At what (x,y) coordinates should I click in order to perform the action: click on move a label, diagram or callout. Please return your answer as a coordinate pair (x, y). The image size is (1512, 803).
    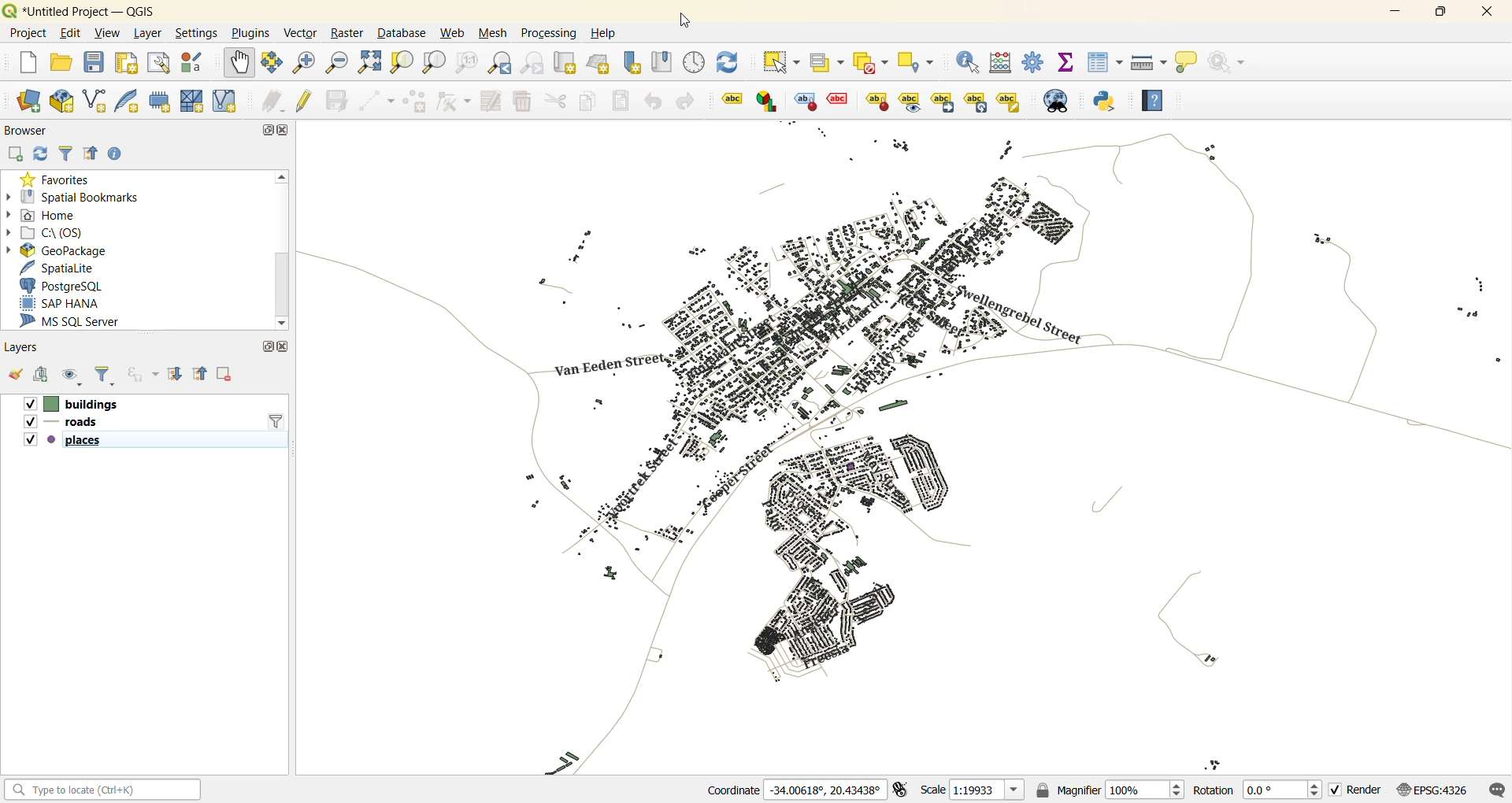
    Looking at the image, I should click on (943, 102).